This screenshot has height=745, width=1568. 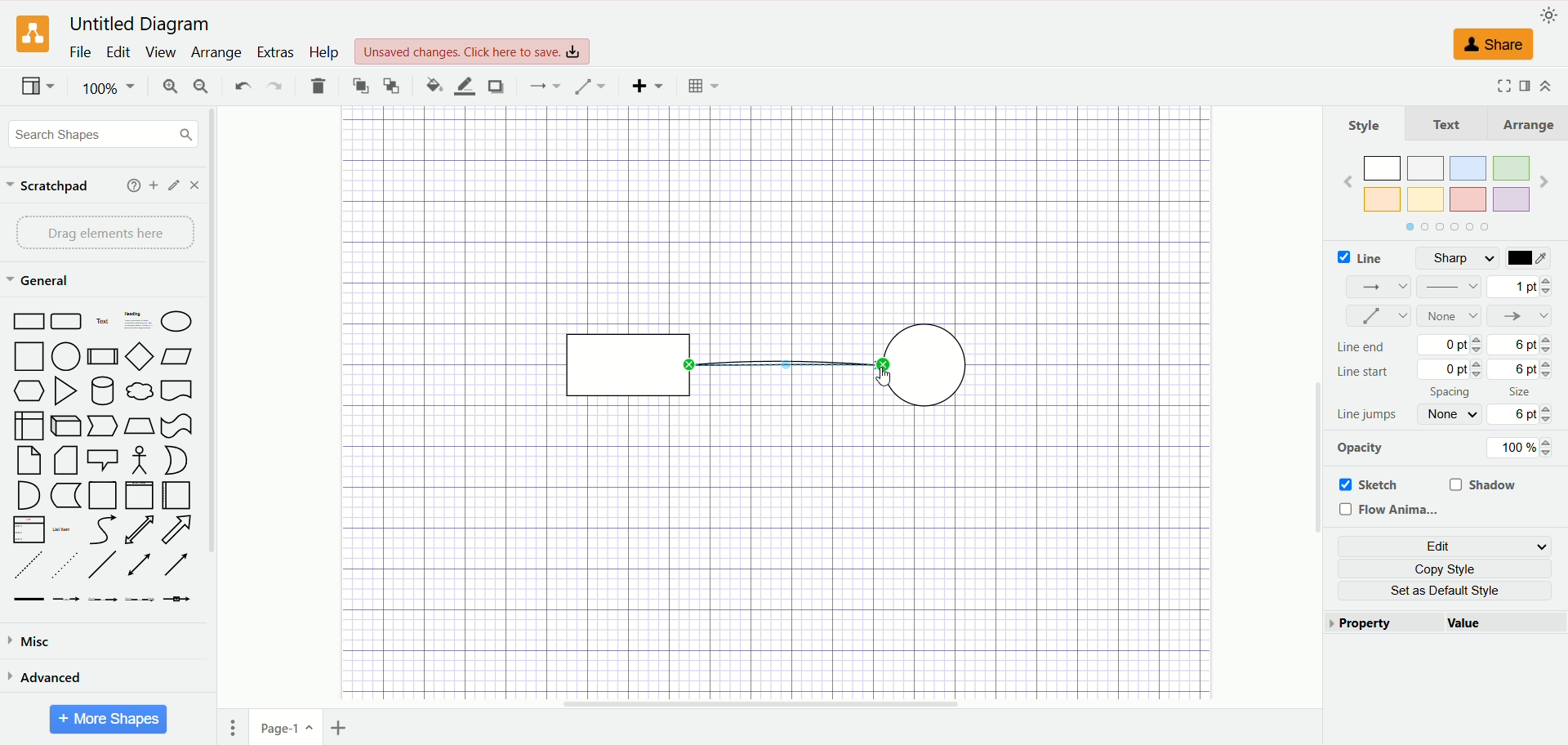 What do you see at coordinates (1493, 45) in the screenshot?
I see `share` at bounding box center [1493, 45].